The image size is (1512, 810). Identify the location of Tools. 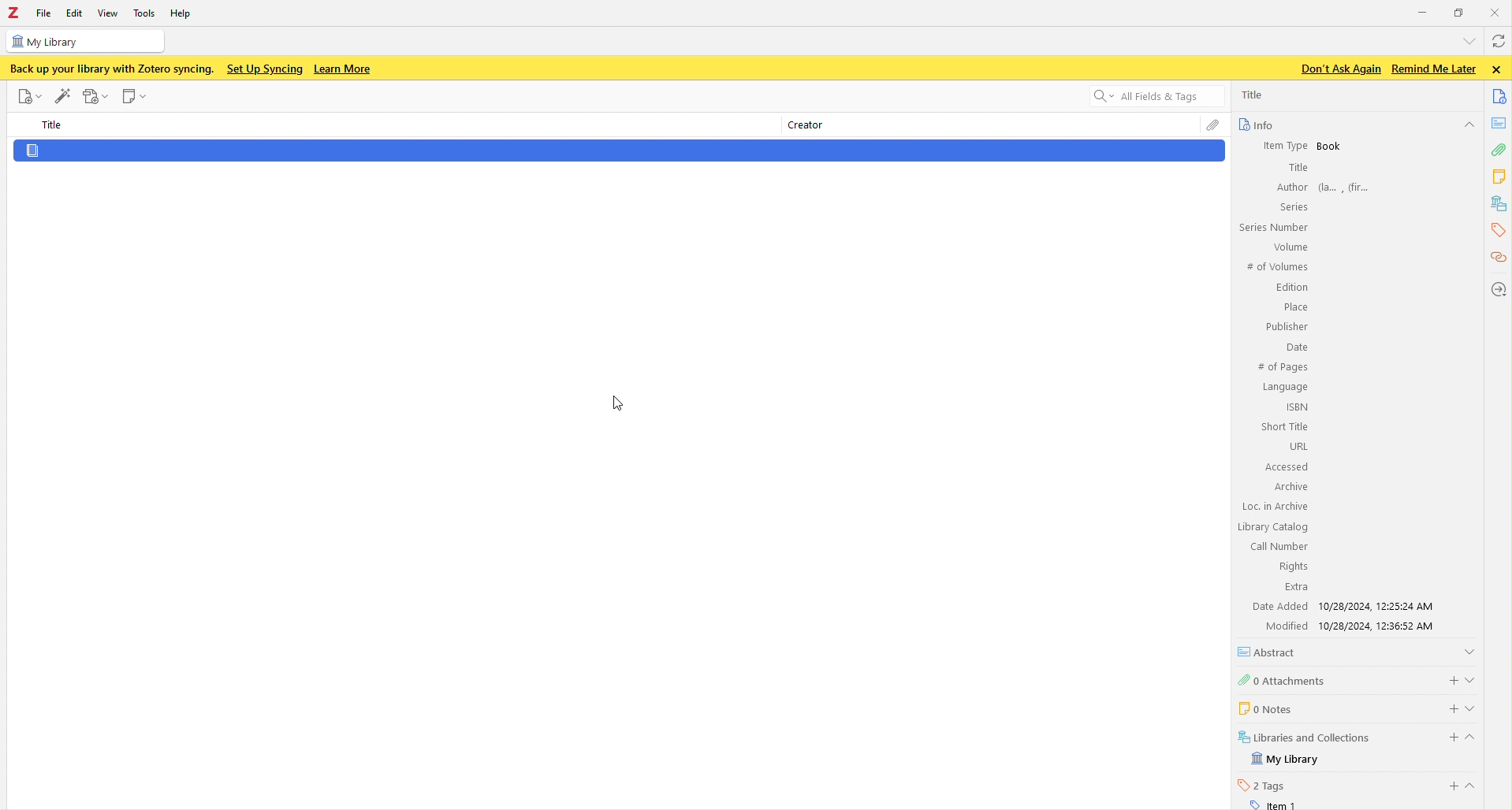
(145, 13).